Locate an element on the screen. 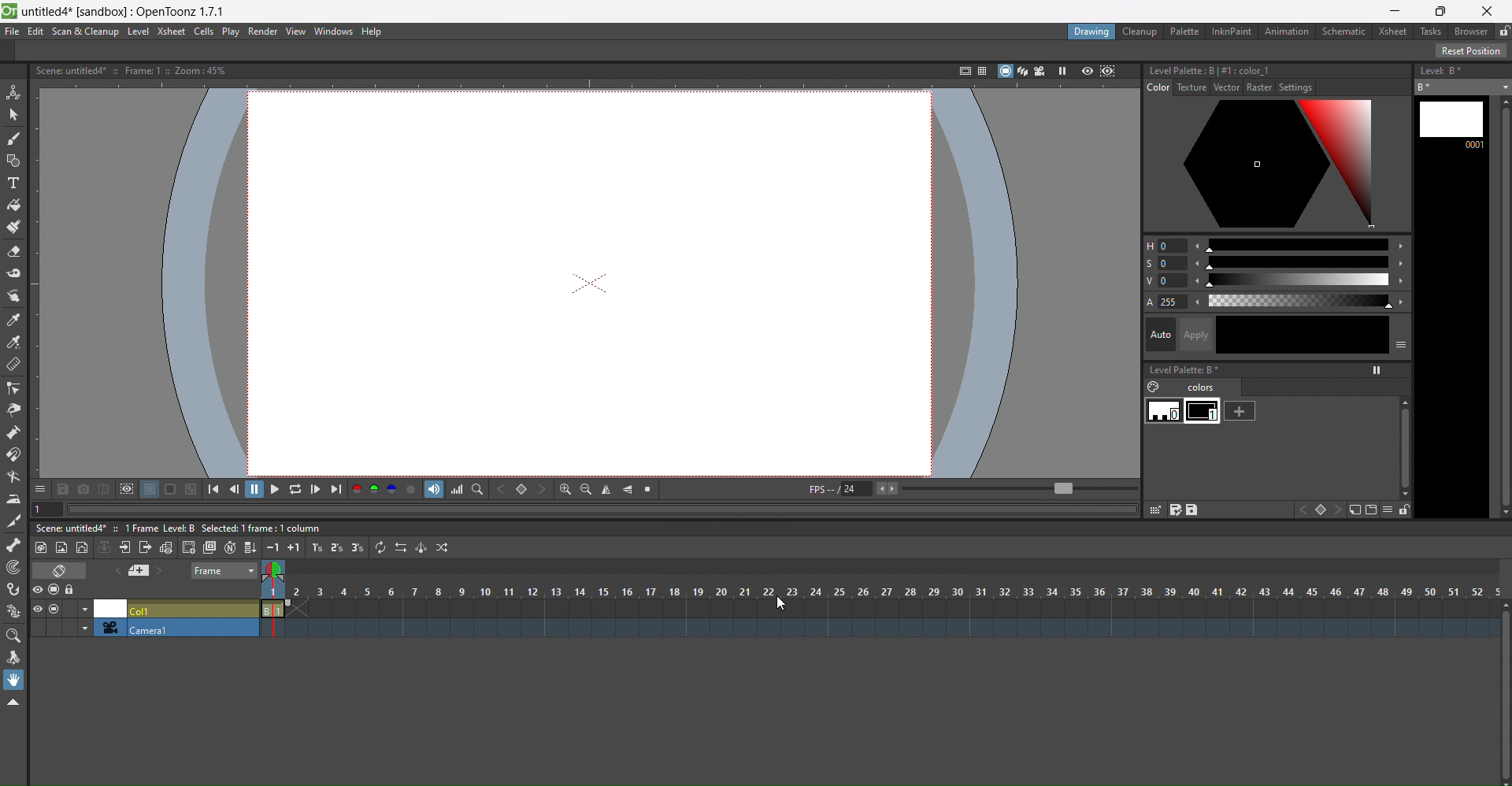  toggle edit in place is located at coordinates (165, 547).